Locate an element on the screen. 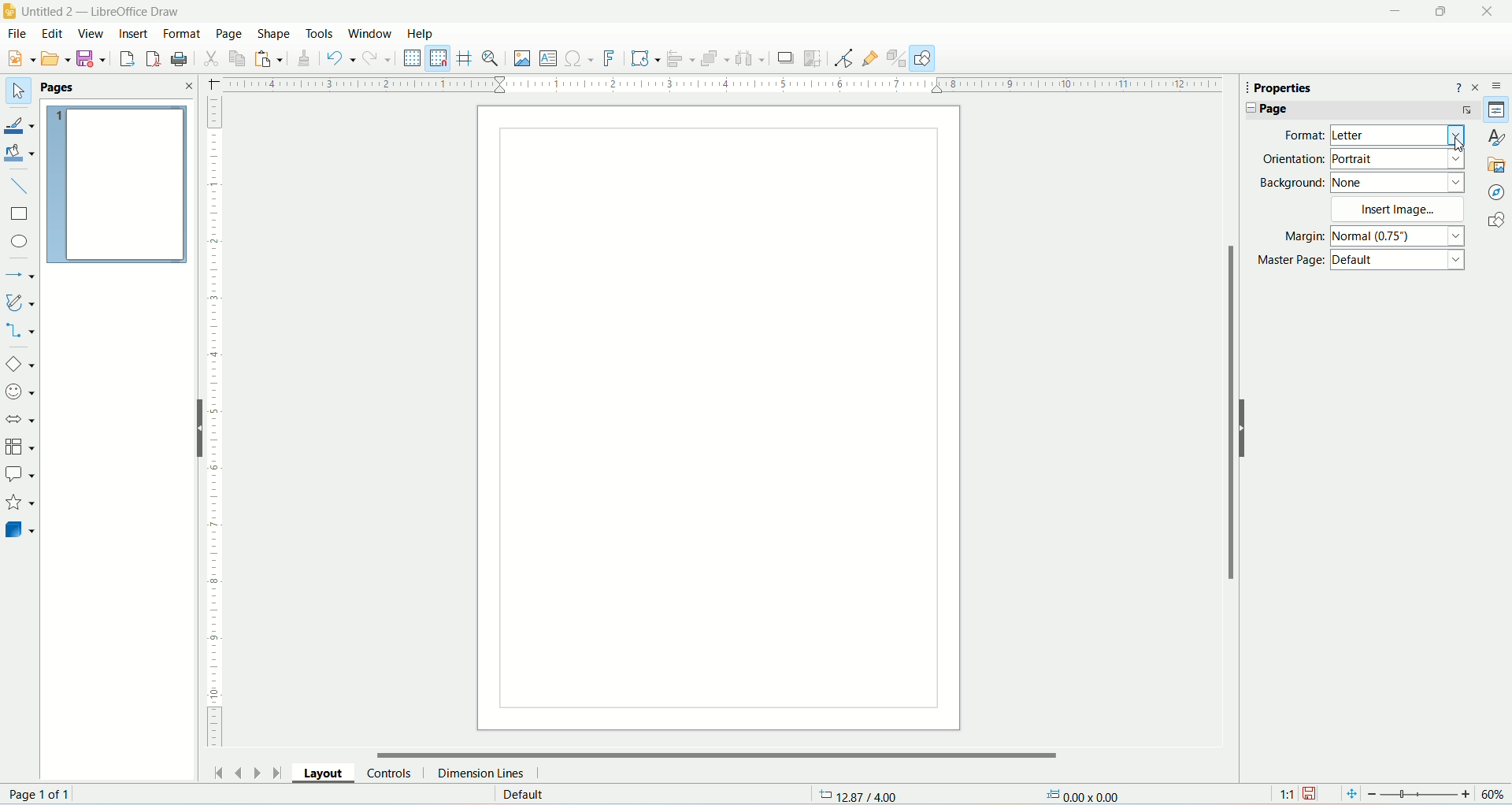  close is located at coordinates (1475, 88).